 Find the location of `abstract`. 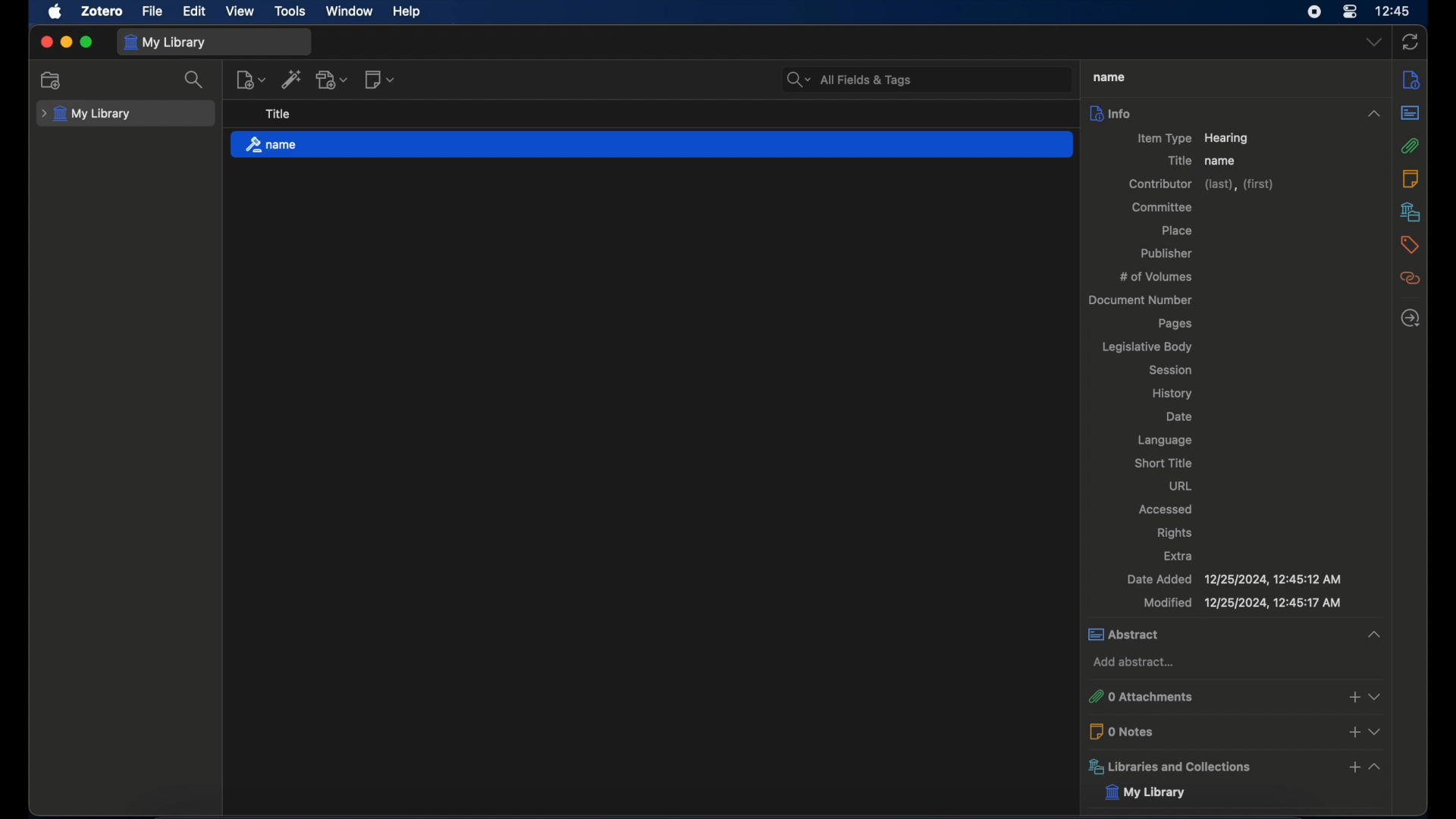

abstract is located at coordinates (1232, 634).